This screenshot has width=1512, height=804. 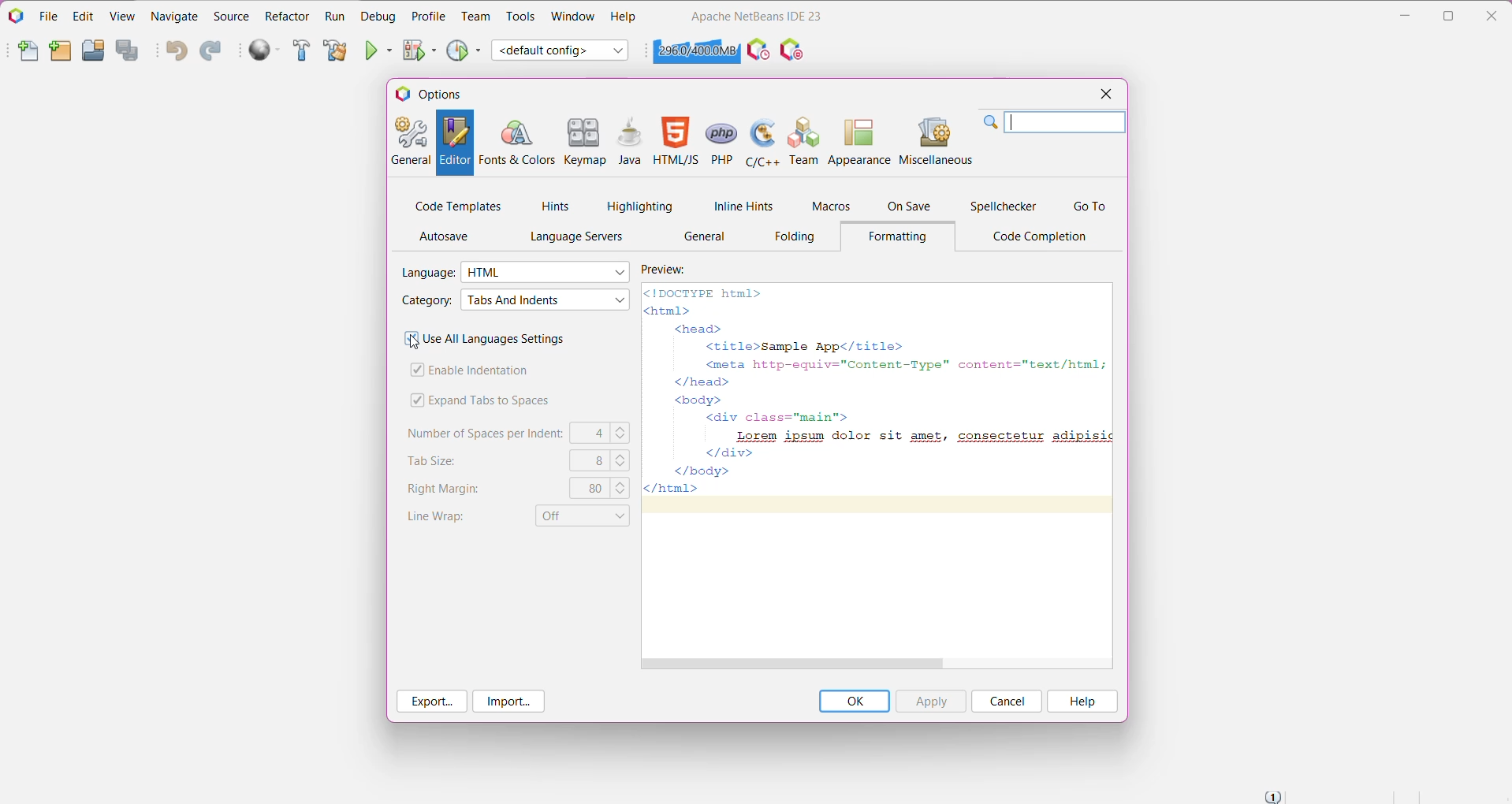 I want to click on Spellchecker, so click(x=1005, y=207).